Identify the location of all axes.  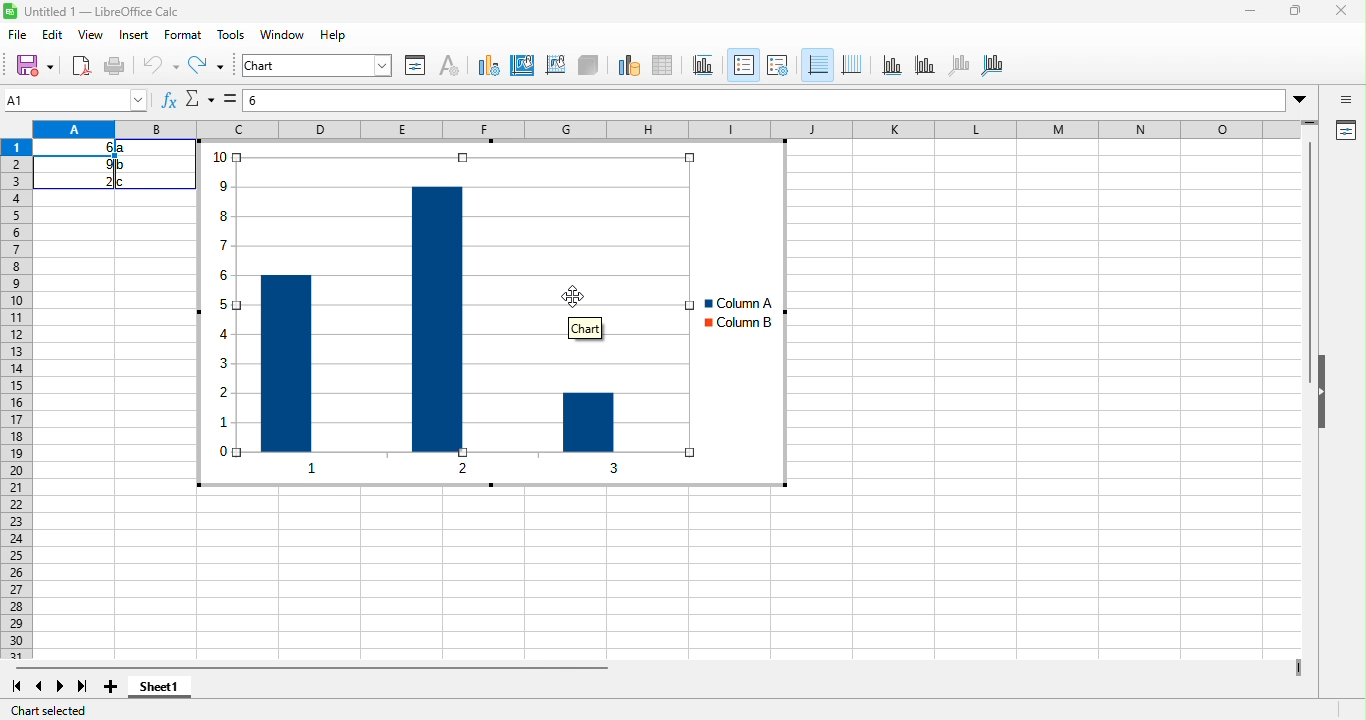
(995, 65).